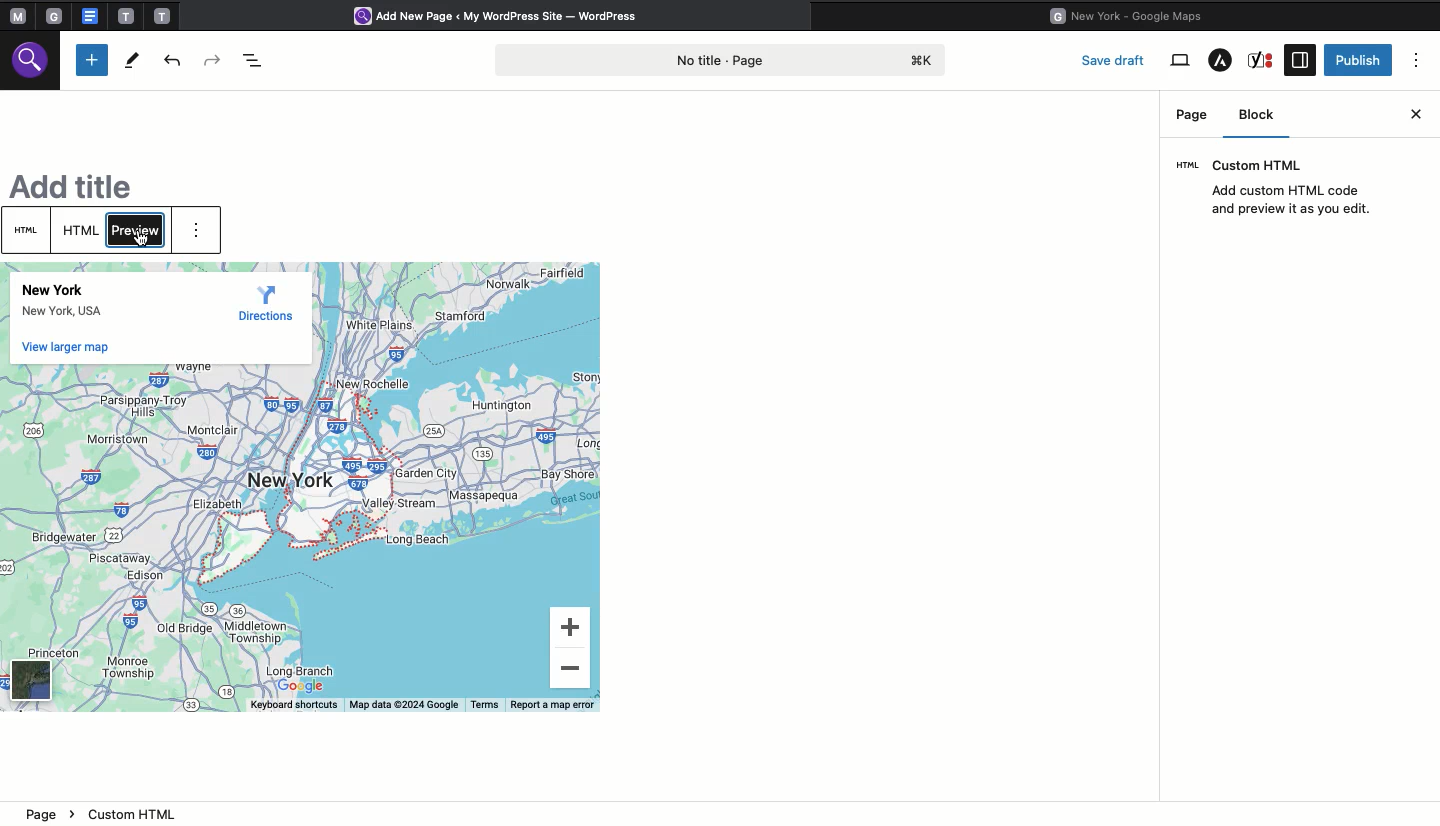  Describe the element at coordinates (1116, 59) in the screenshot. I see `Save draft` at that location.